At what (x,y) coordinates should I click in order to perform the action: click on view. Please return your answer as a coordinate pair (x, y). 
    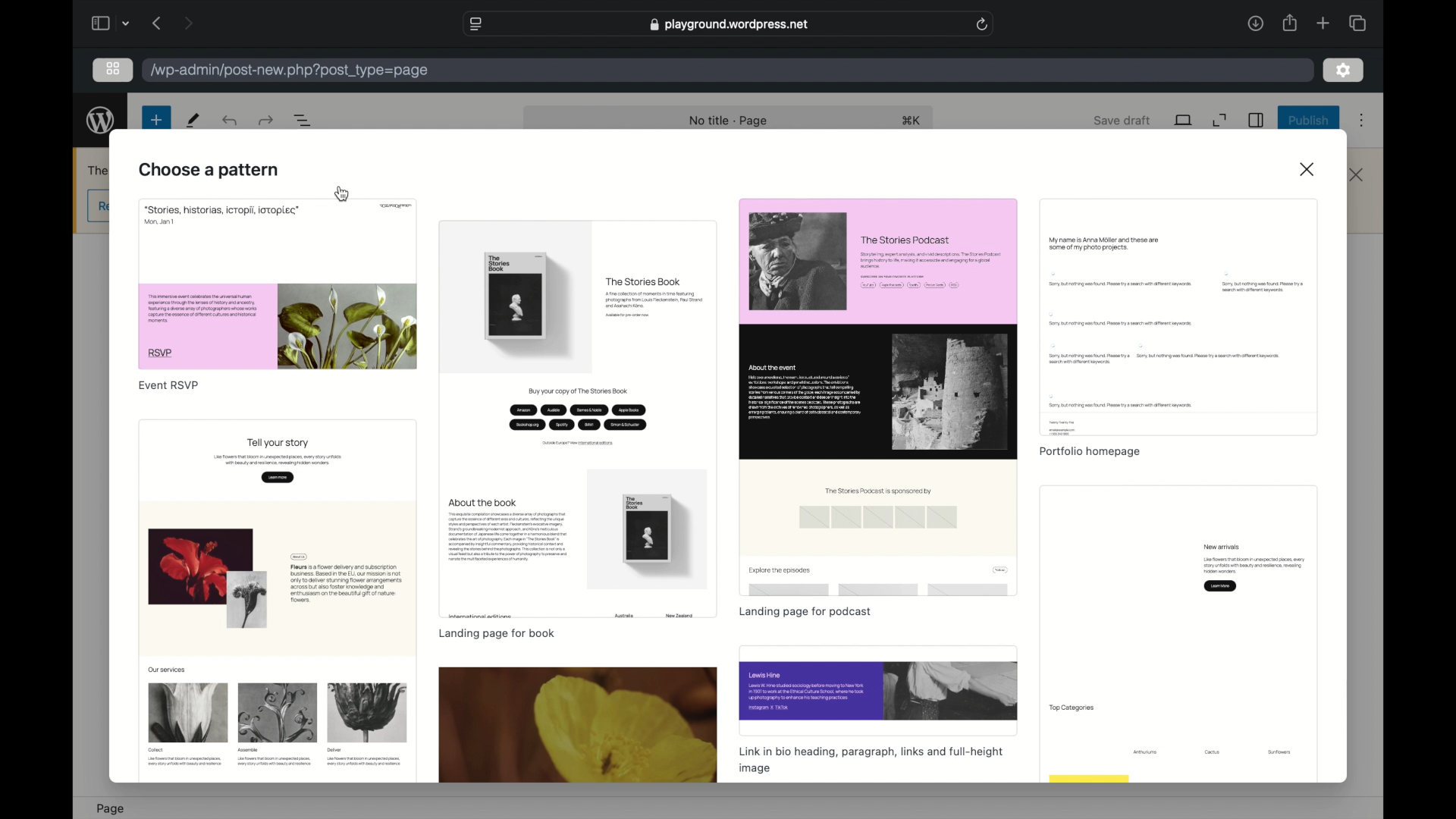
    Looking at the image, I should click on (1183, 121).